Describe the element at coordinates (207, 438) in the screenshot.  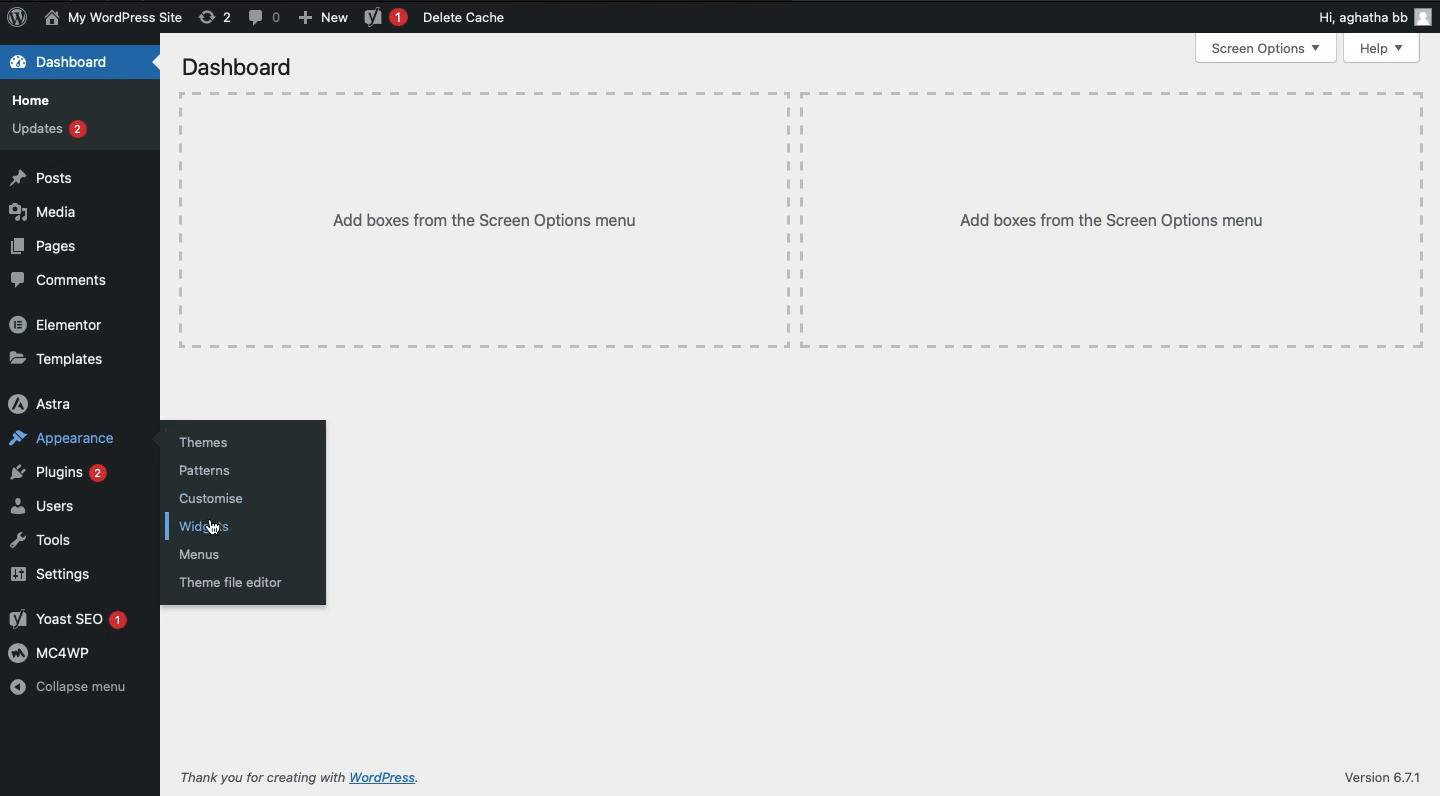
I see `Themes` at that location.